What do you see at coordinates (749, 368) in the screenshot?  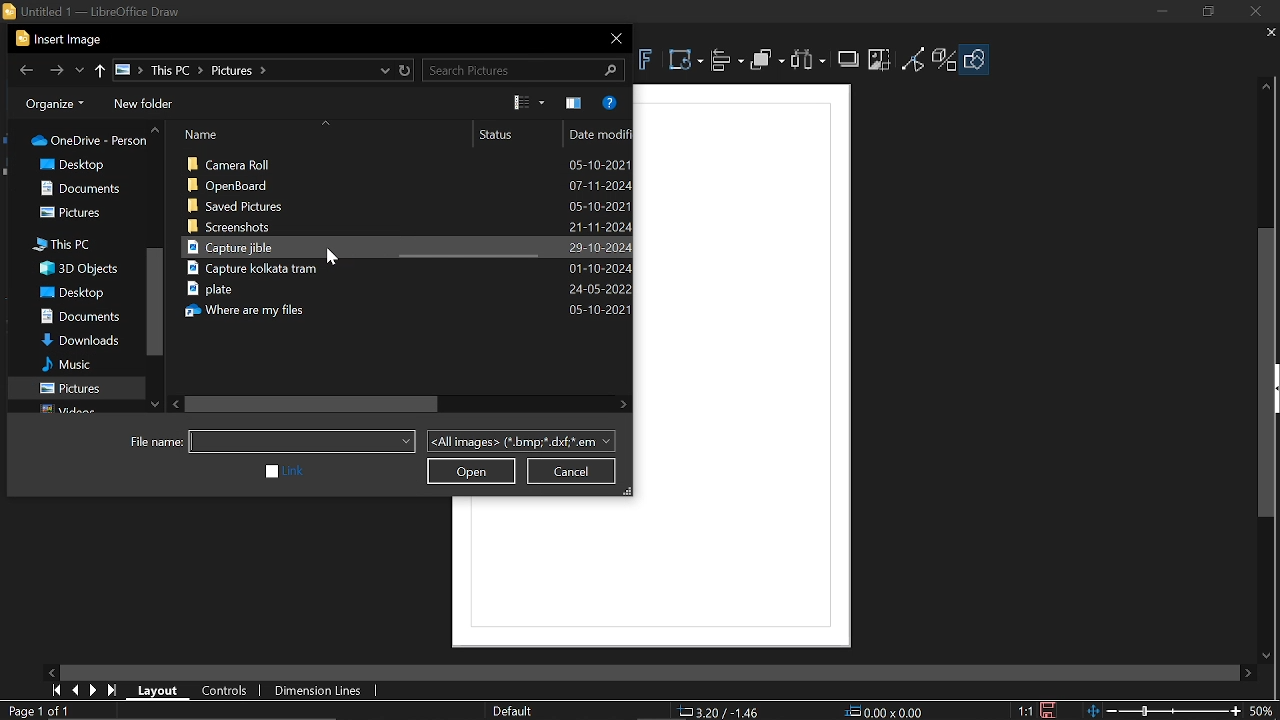 I see `frame` at bounding box center [749, 368].